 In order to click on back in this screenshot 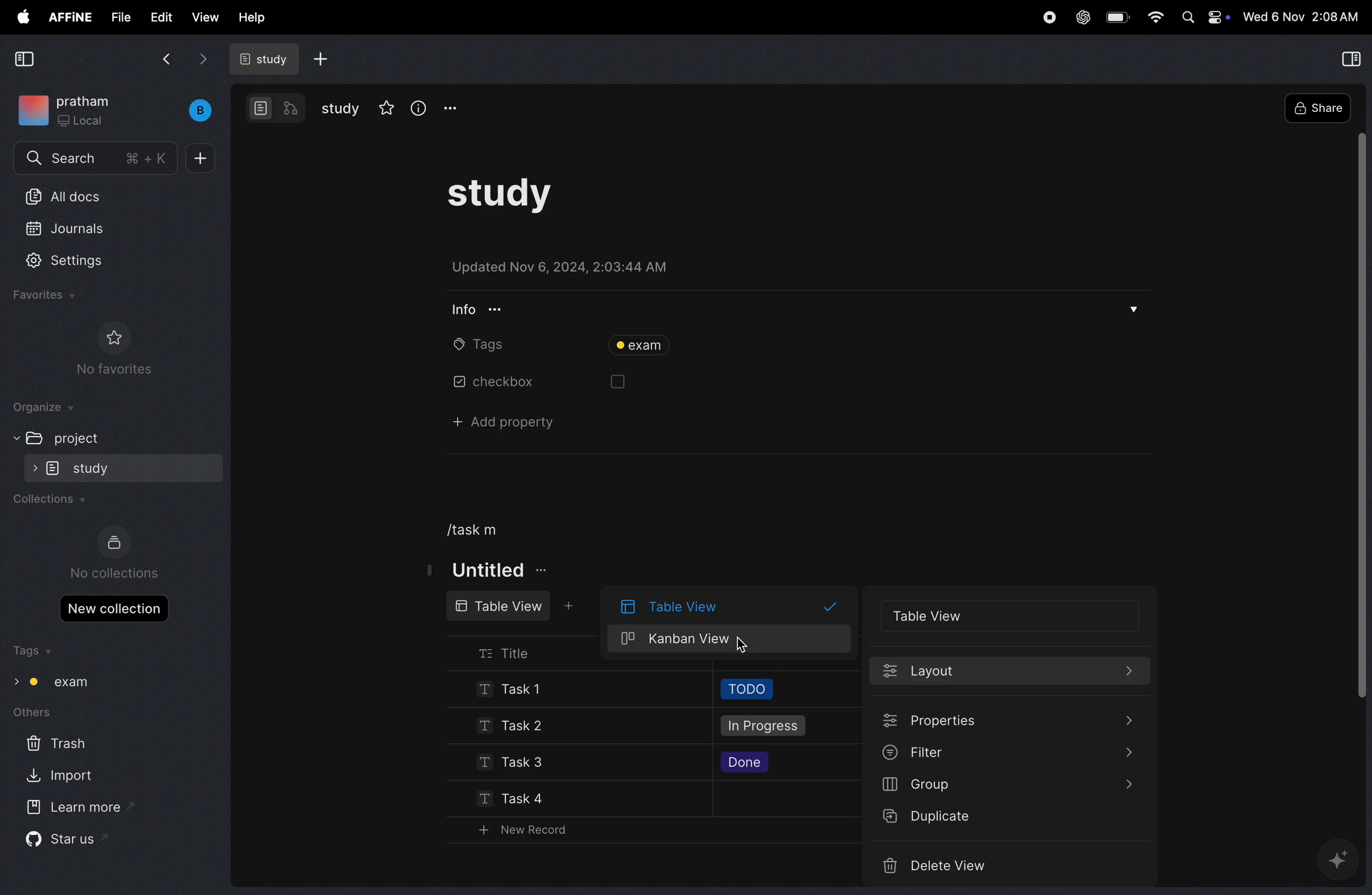, I will do `click(164, 61)`.